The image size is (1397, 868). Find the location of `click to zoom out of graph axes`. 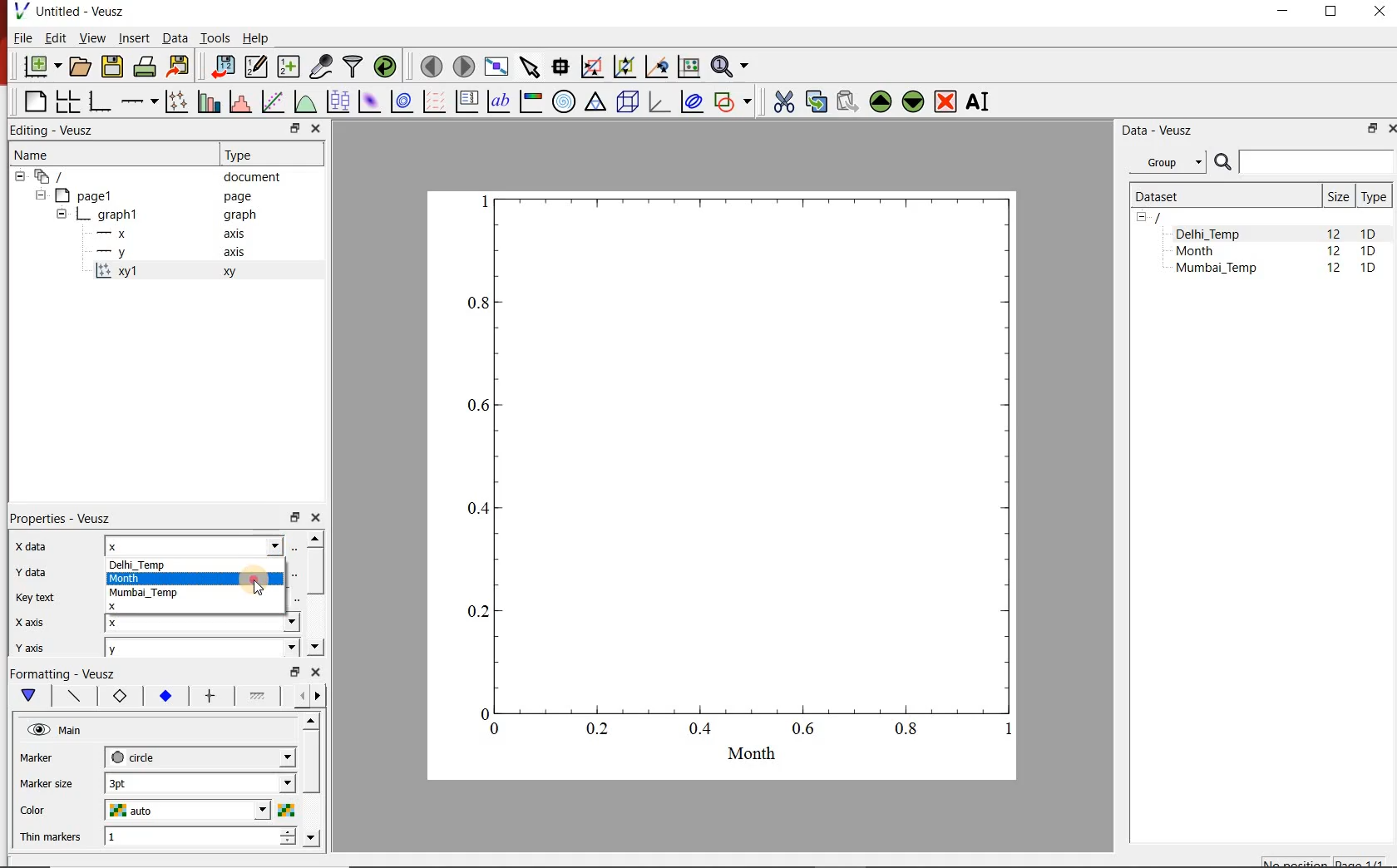

click to zoom out of graph axes is located at coordinates (624, 67).